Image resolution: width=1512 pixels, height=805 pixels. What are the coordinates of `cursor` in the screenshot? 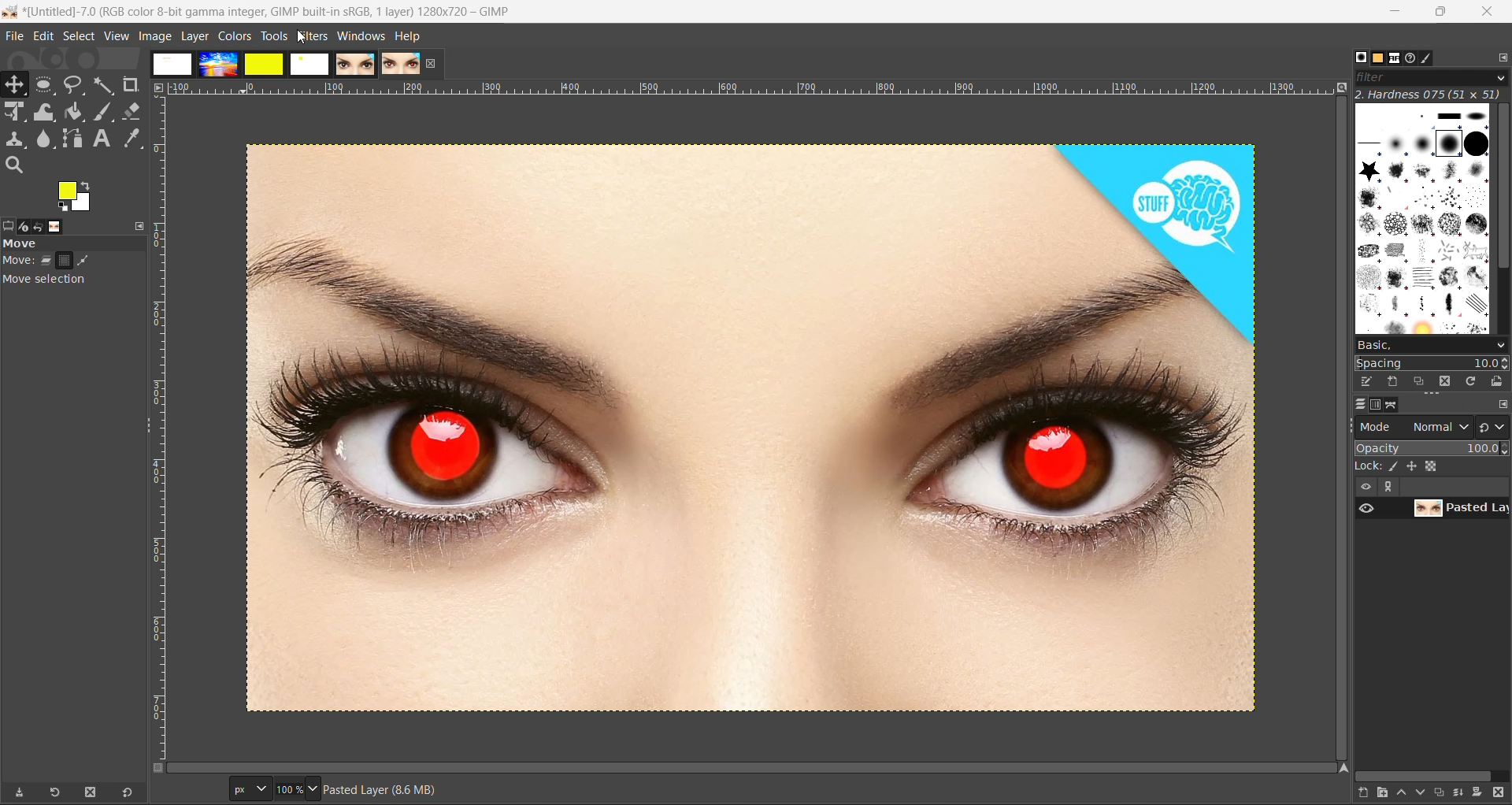 It's located at (300, 37).